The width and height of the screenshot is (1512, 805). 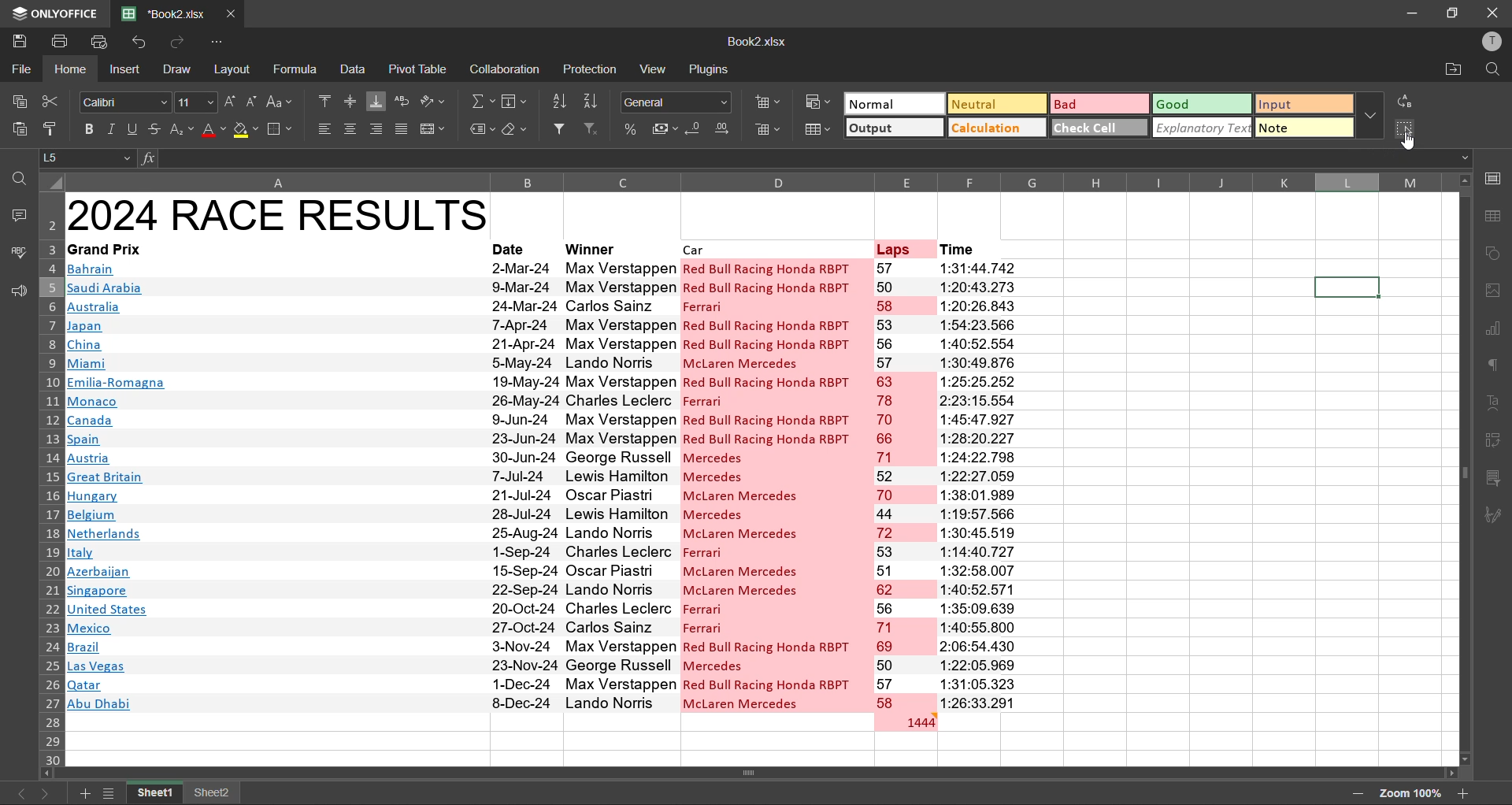 I want to click on check cell, so click(x=1101, y=128).